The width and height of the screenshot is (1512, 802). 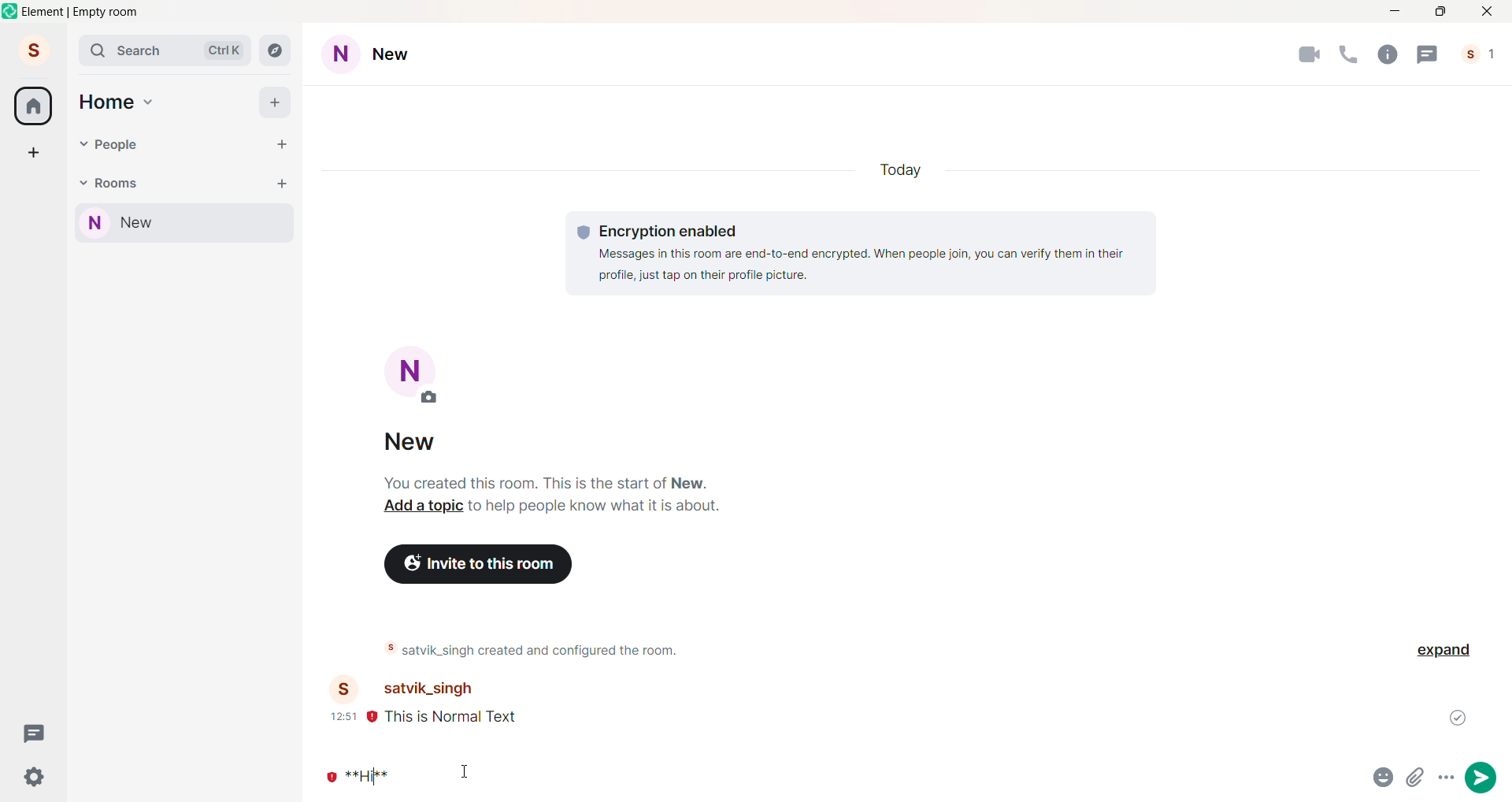 I want to click on Minimize, so click(x=1392, y=12).